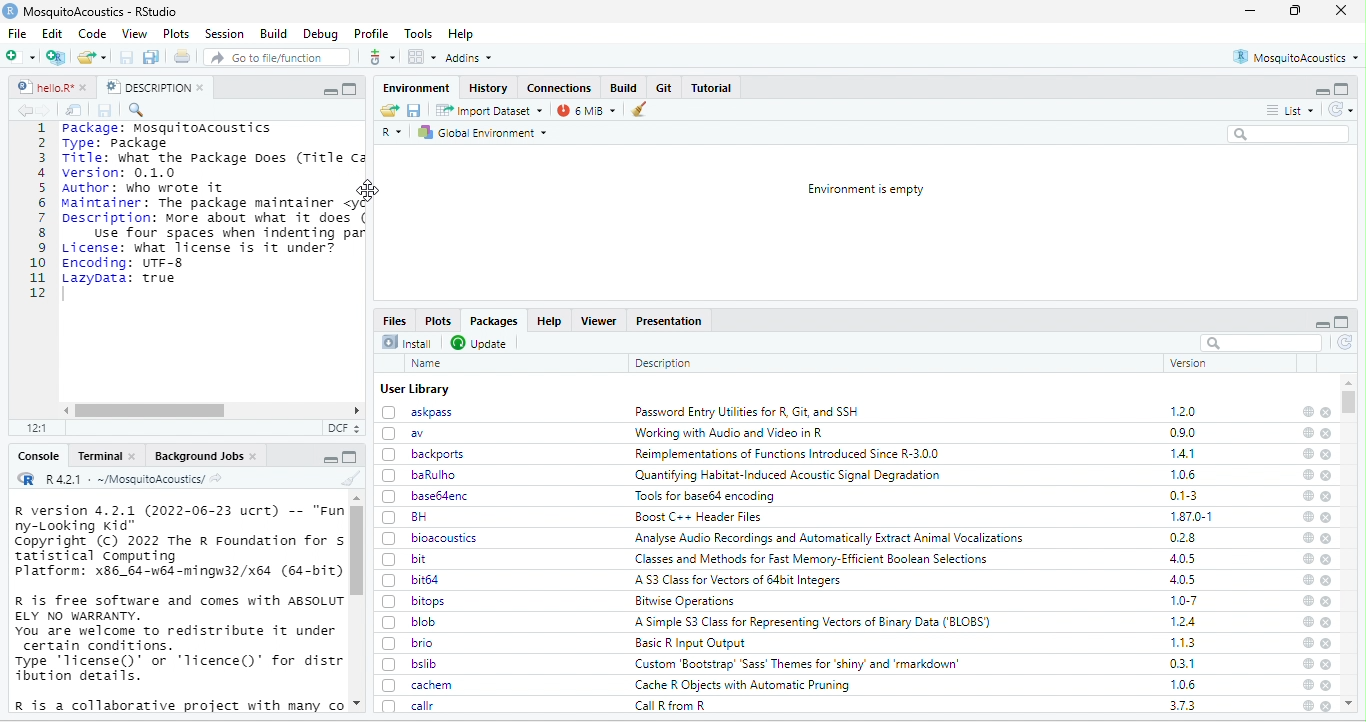  What do you see at coordinates (1306, 434) in the screenshot?
I see `help` at bounding box center [1306, 434].